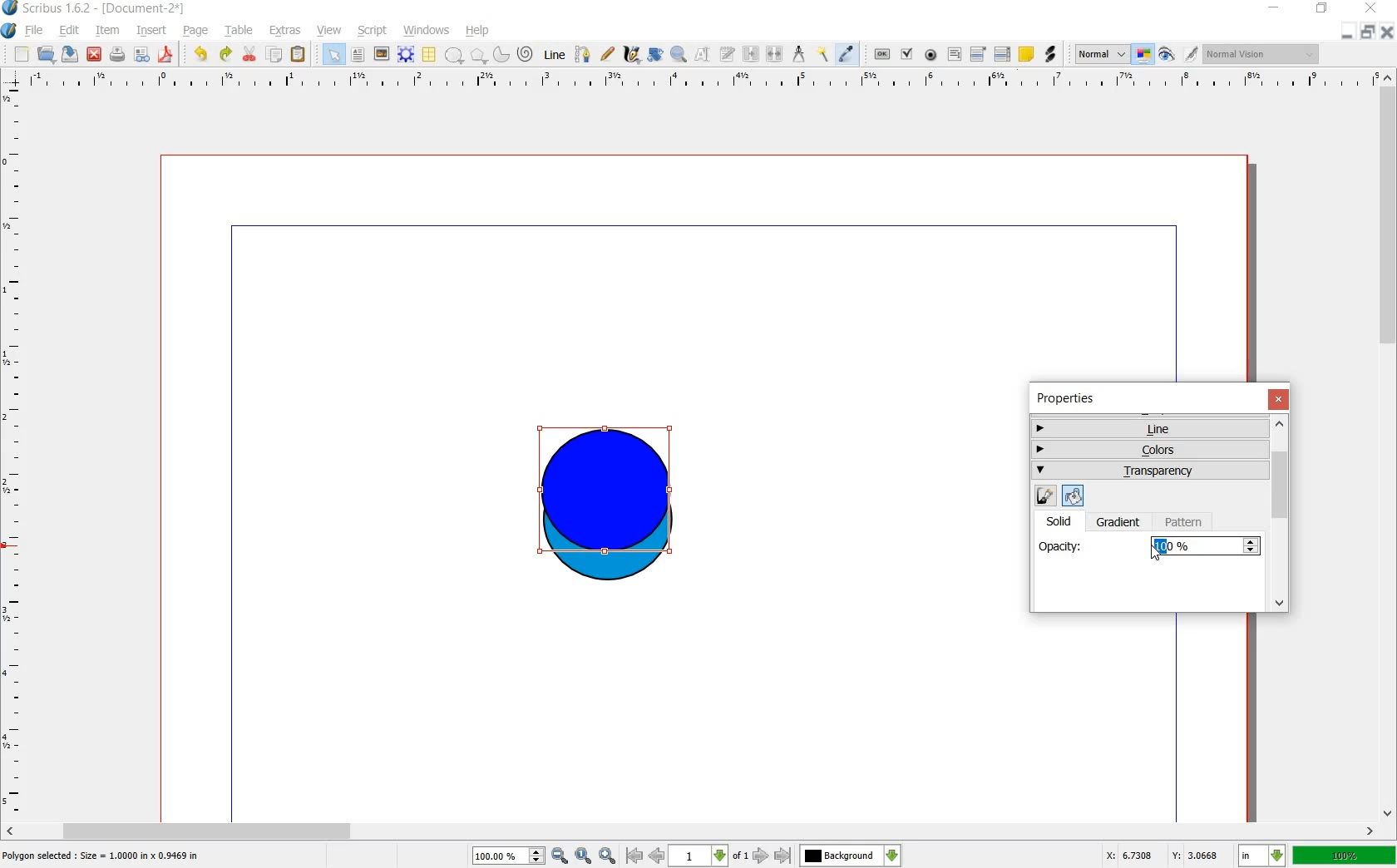 This screenshot has height=868, width=1397. I want to click on preview mode, so click(1166, 57).